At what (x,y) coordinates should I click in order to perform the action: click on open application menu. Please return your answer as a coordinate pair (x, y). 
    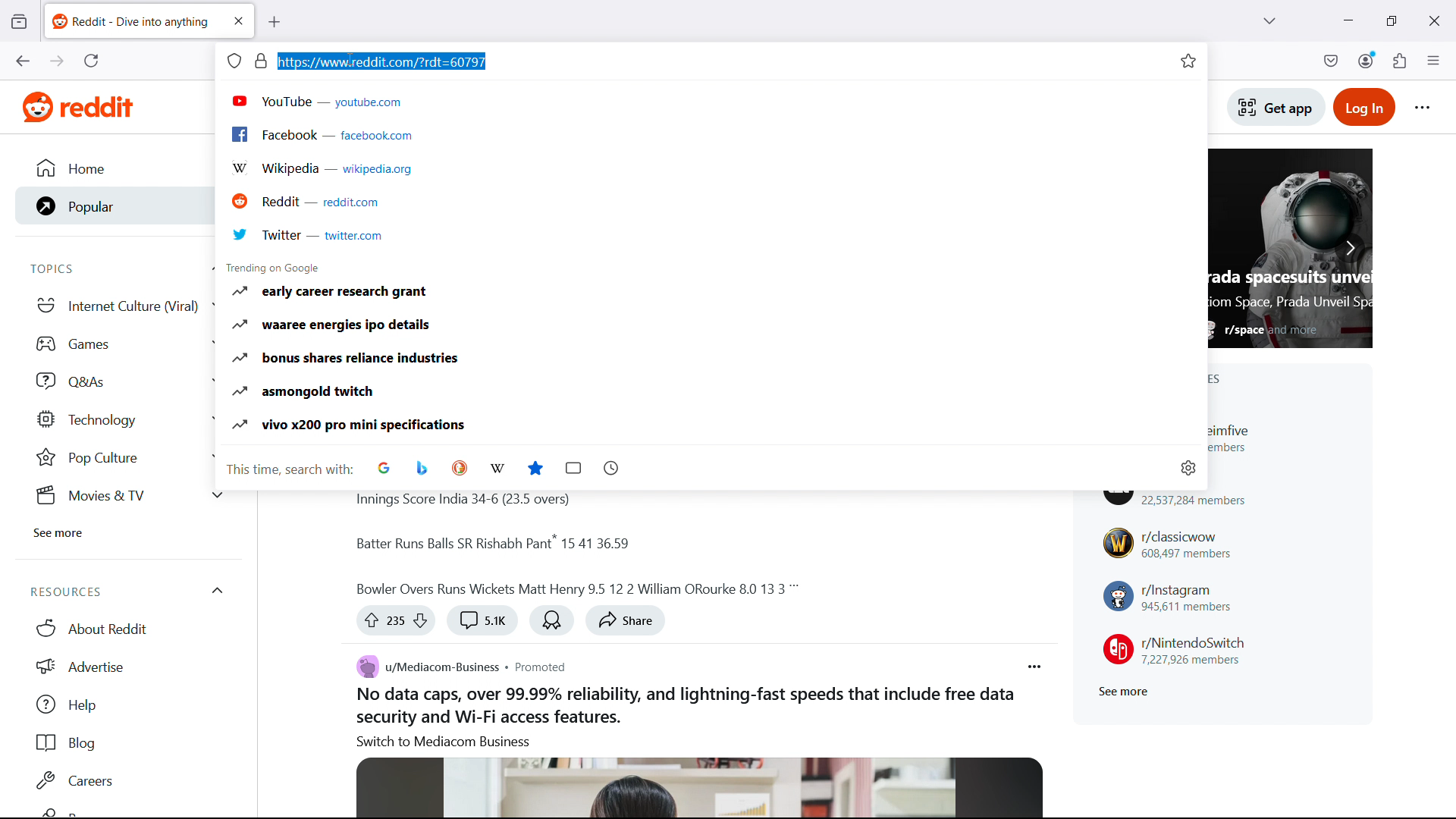
    Looking at the image, I should click on (1432, 60).